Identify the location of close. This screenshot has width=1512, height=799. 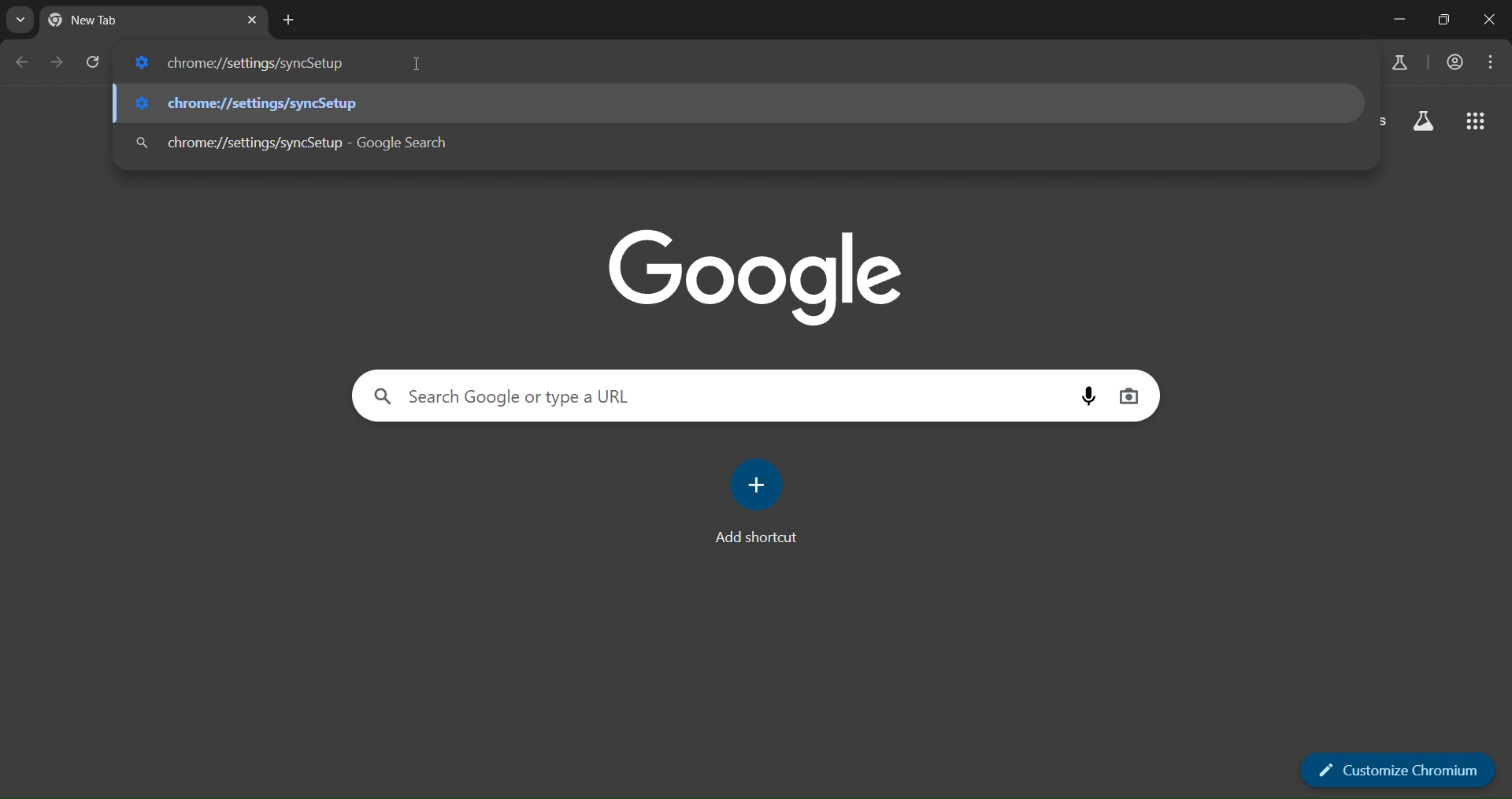
(1489, 22).